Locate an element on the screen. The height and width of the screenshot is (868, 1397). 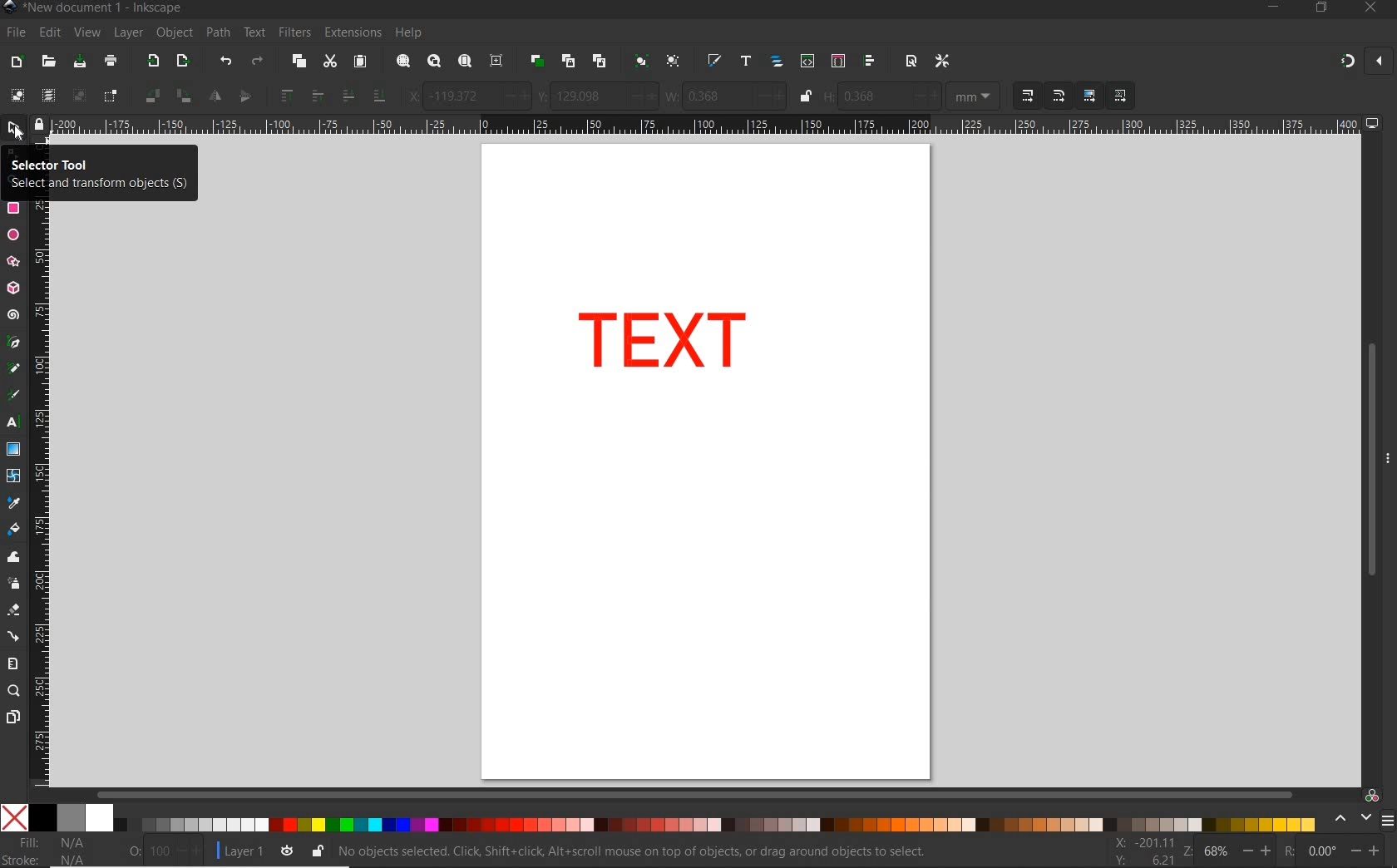
MOVE PATTERNS is located at coordinates (1119, 96).